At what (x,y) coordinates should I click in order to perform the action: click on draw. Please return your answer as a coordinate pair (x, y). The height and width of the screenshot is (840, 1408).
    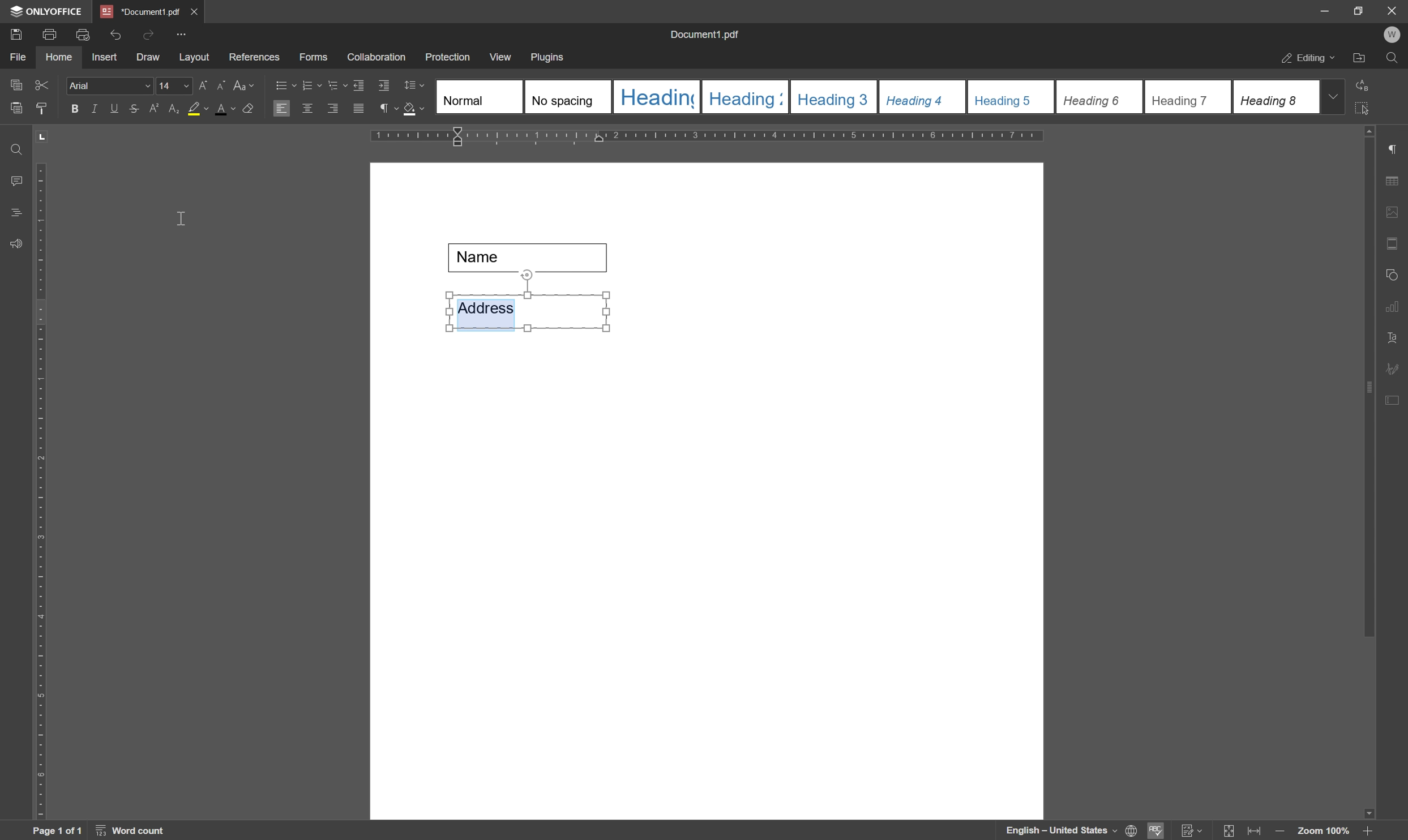
    Looking at the image, I should click on (148, 58).